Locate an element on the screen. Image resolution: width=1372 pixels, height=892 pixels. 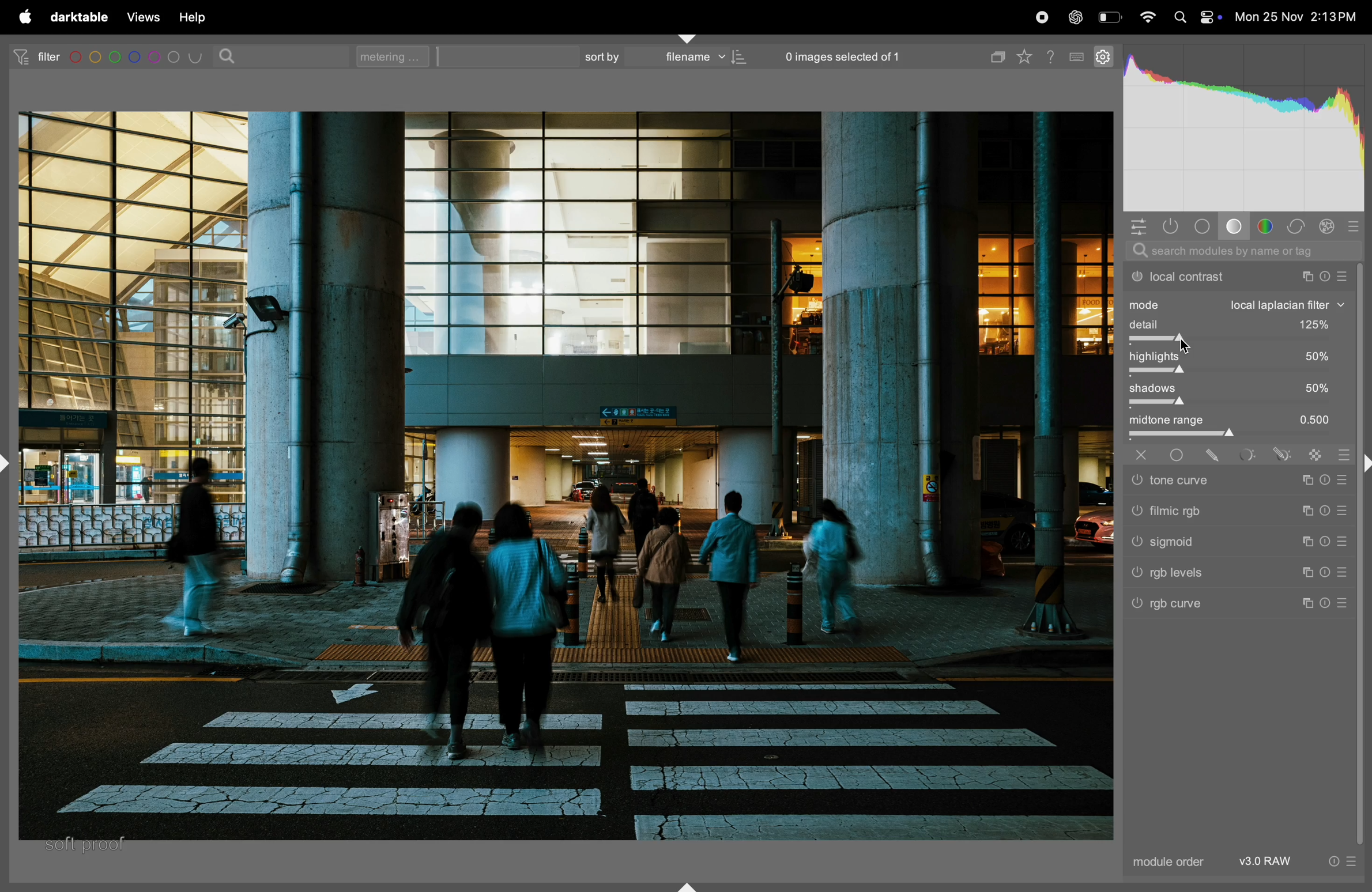
views is located at coordinates (141, 17).